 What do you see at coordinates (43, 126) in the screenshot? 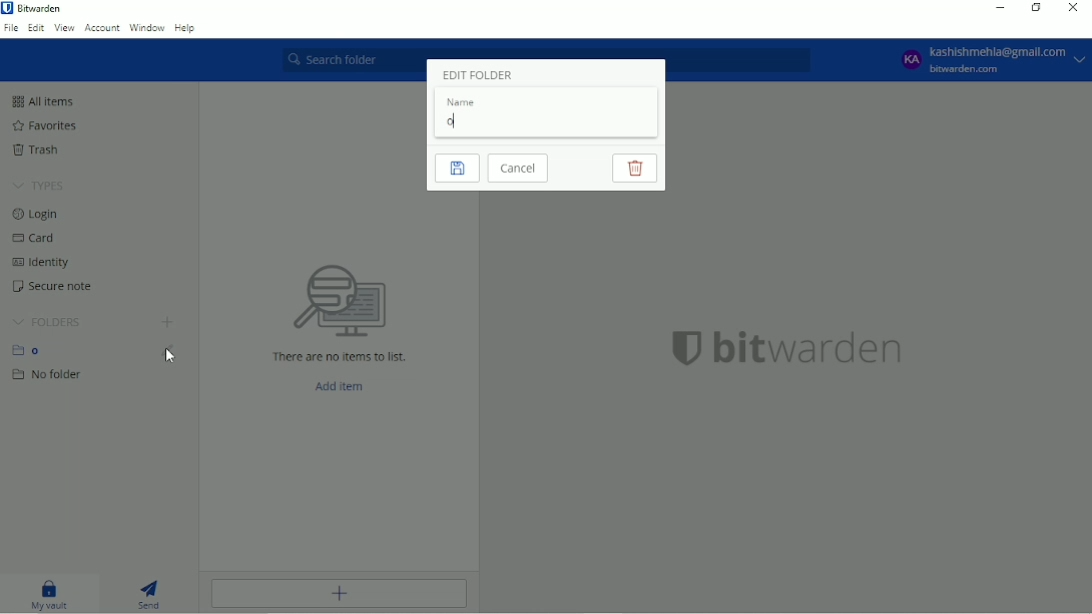
I see `Favorites` at bounding box center [43, 126].